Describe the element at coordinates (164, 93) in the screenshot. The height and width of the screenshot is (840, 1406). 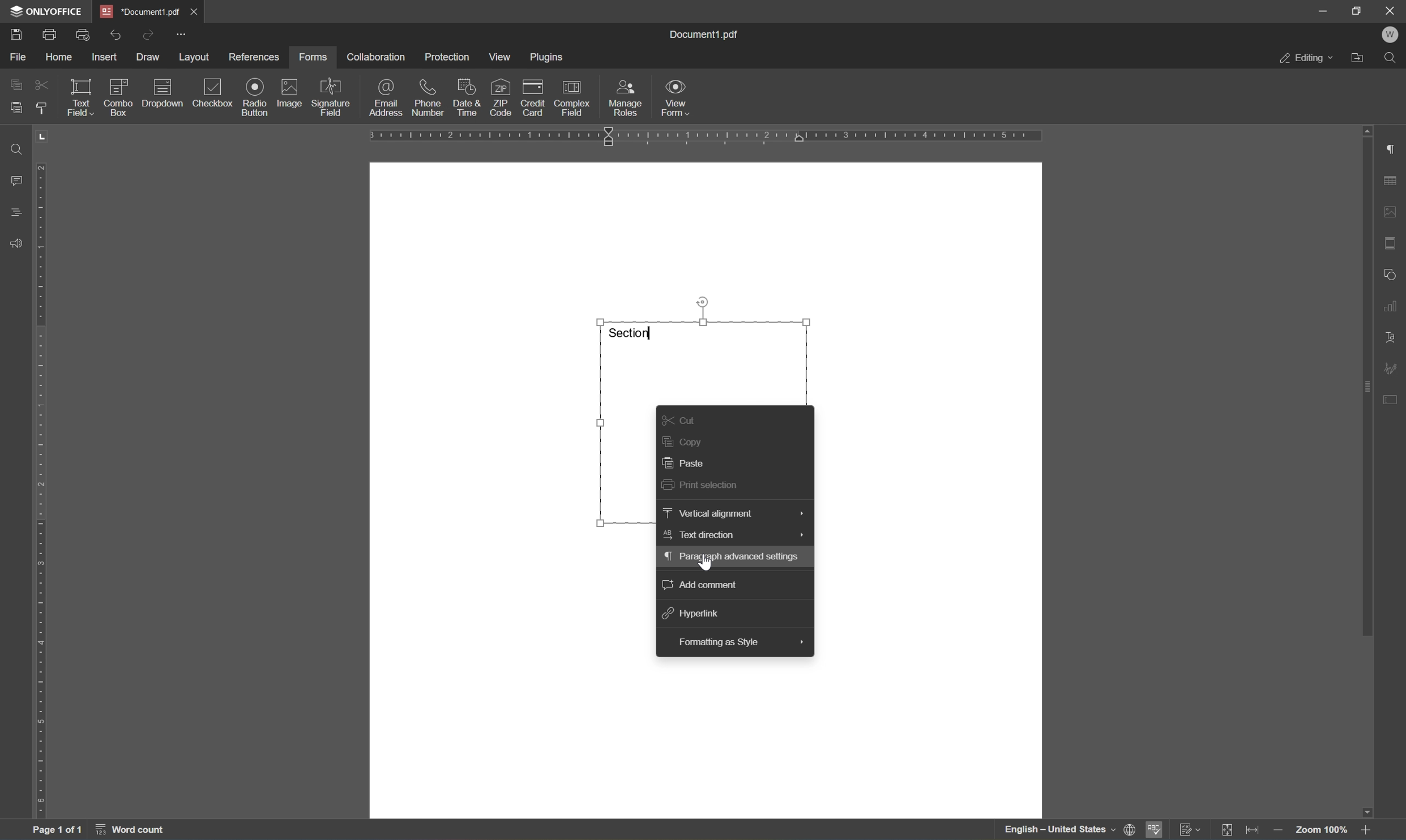
I see `dropdown` at that location.